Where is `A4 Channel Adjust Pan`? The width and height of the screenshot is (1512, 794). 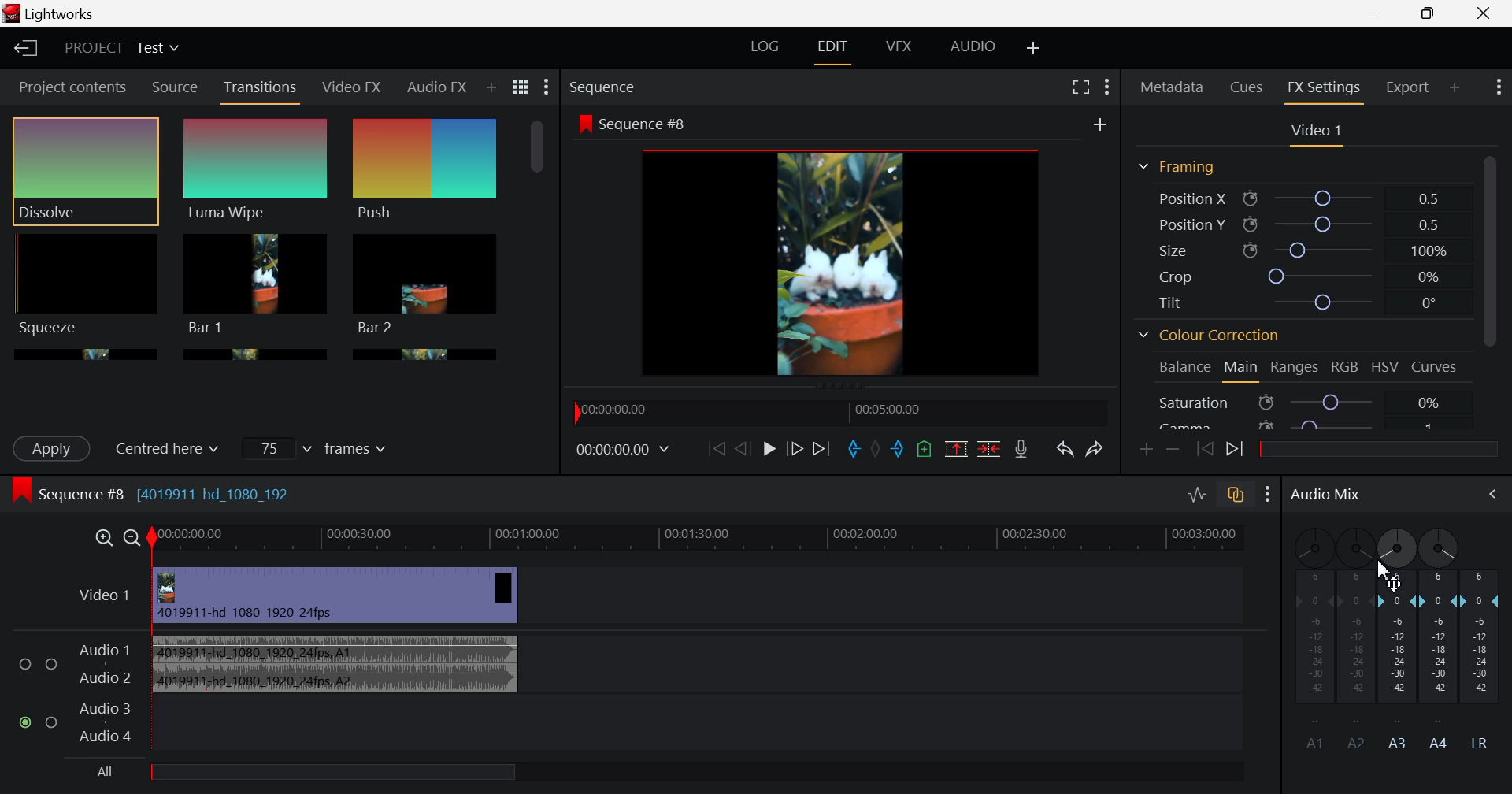 A4 Channel Adjust Pan is located at coordinates (1441, 547).